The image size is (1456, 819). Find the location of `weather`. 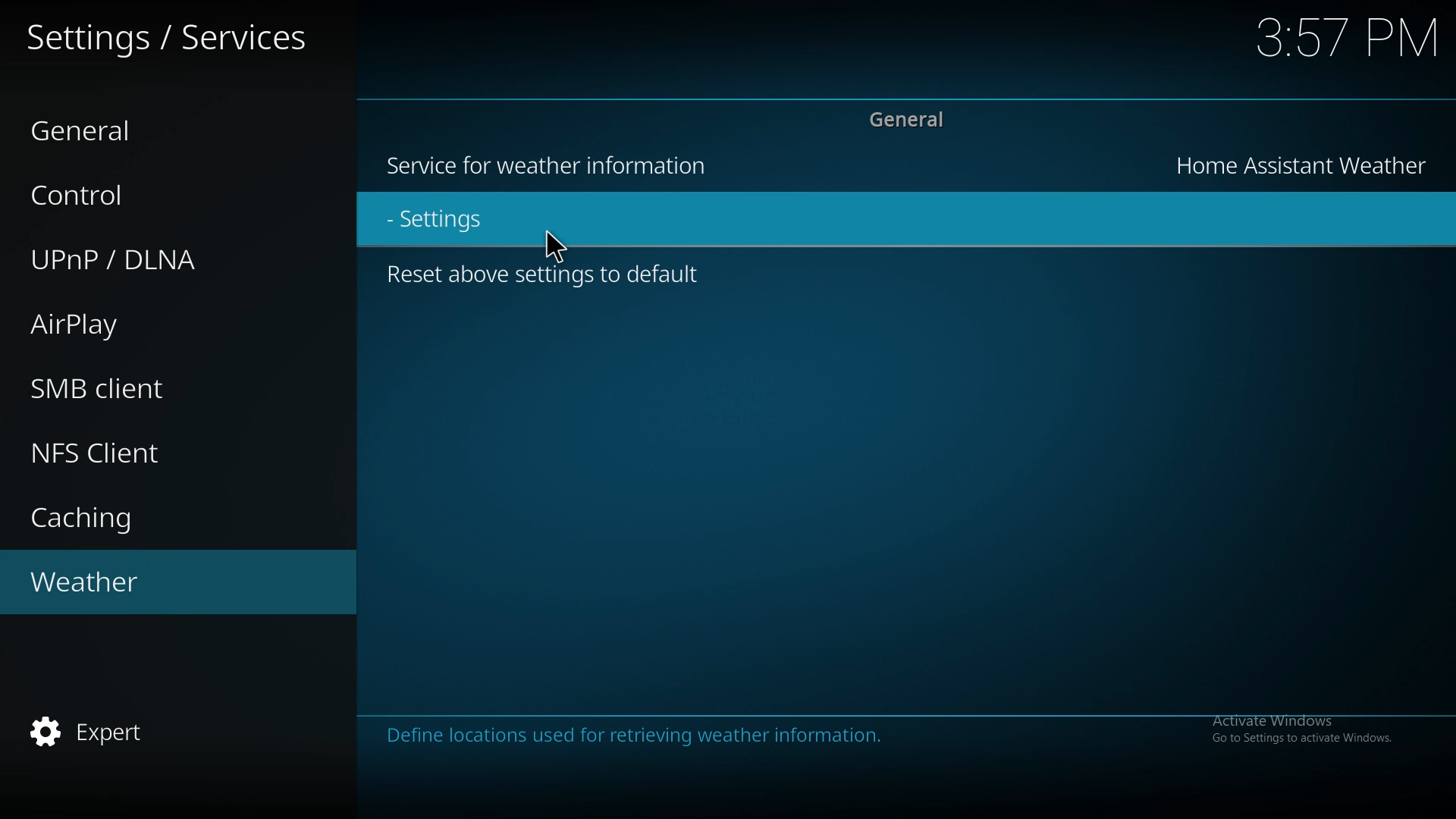

weather is located at coordinates (146, 584).